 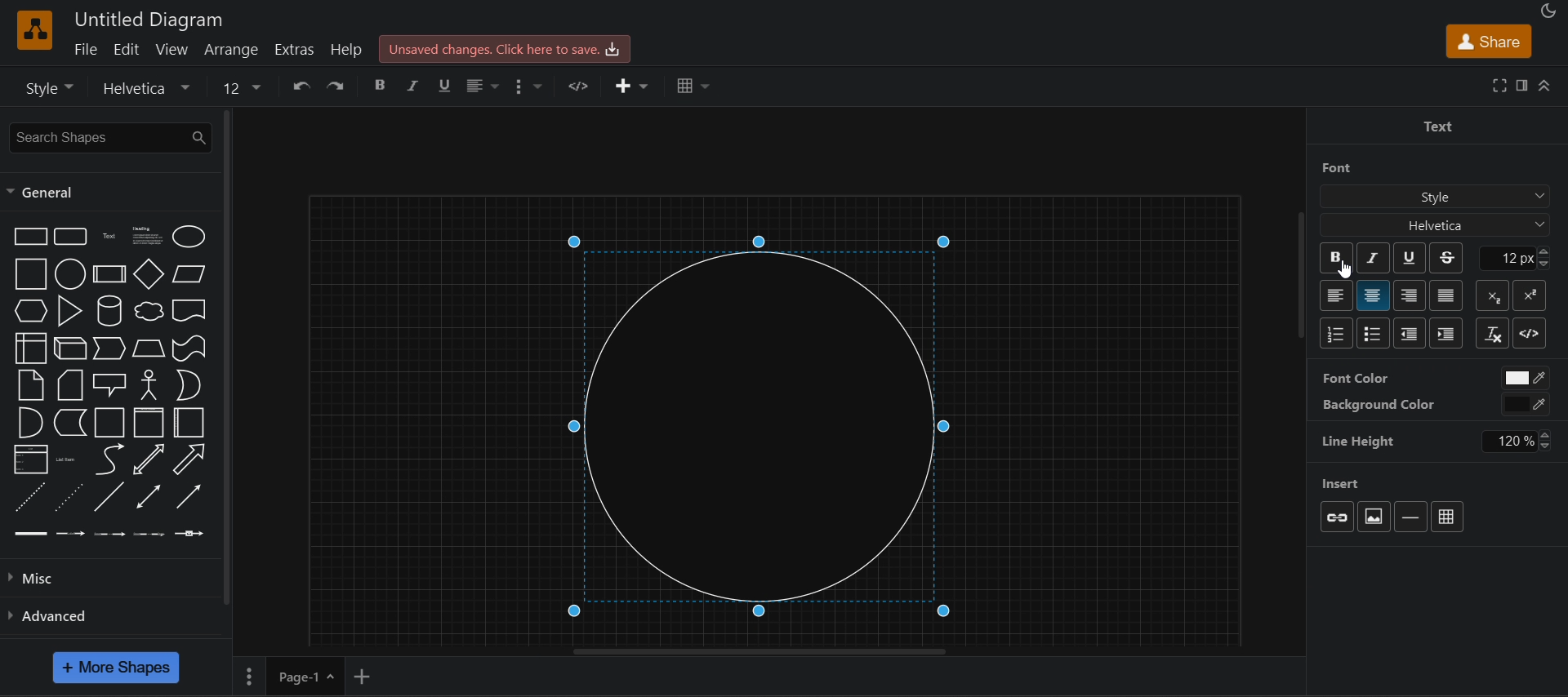 I want to click on More options, so click(x=245, y=680).